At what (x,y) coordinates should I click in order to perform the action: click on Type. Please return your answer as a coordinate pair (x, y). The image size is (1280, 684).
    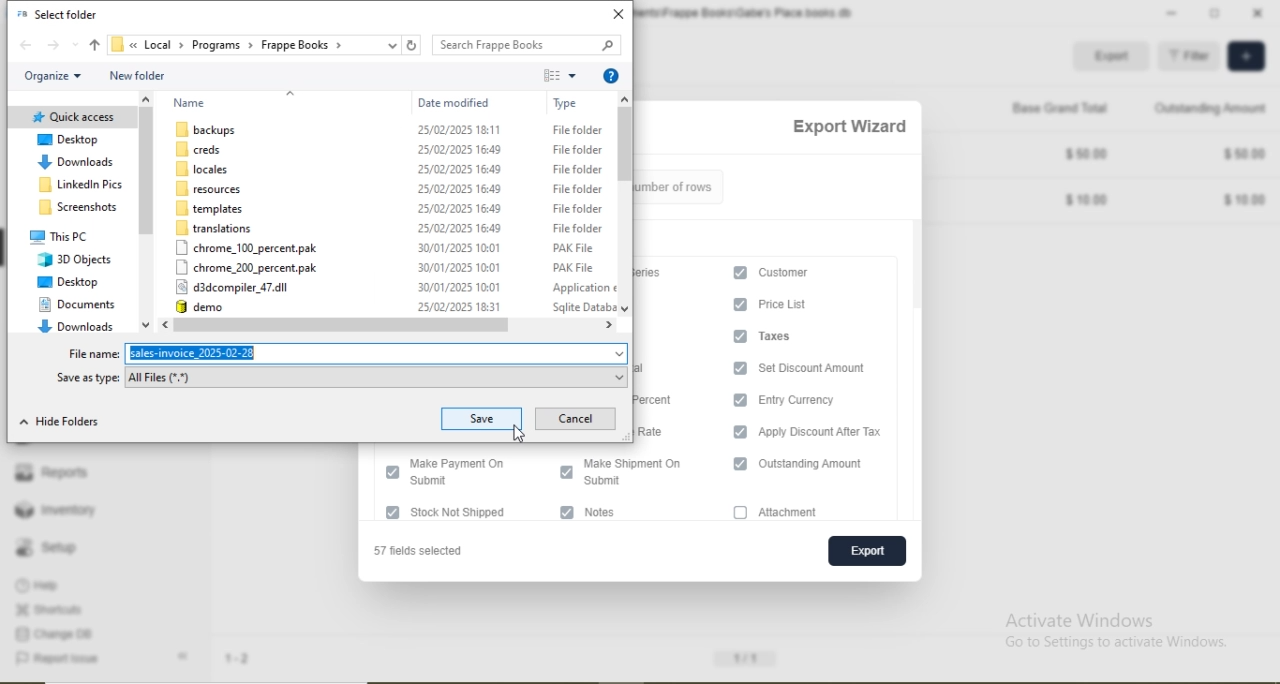
    Looking at the image, I should click on (567, 104).